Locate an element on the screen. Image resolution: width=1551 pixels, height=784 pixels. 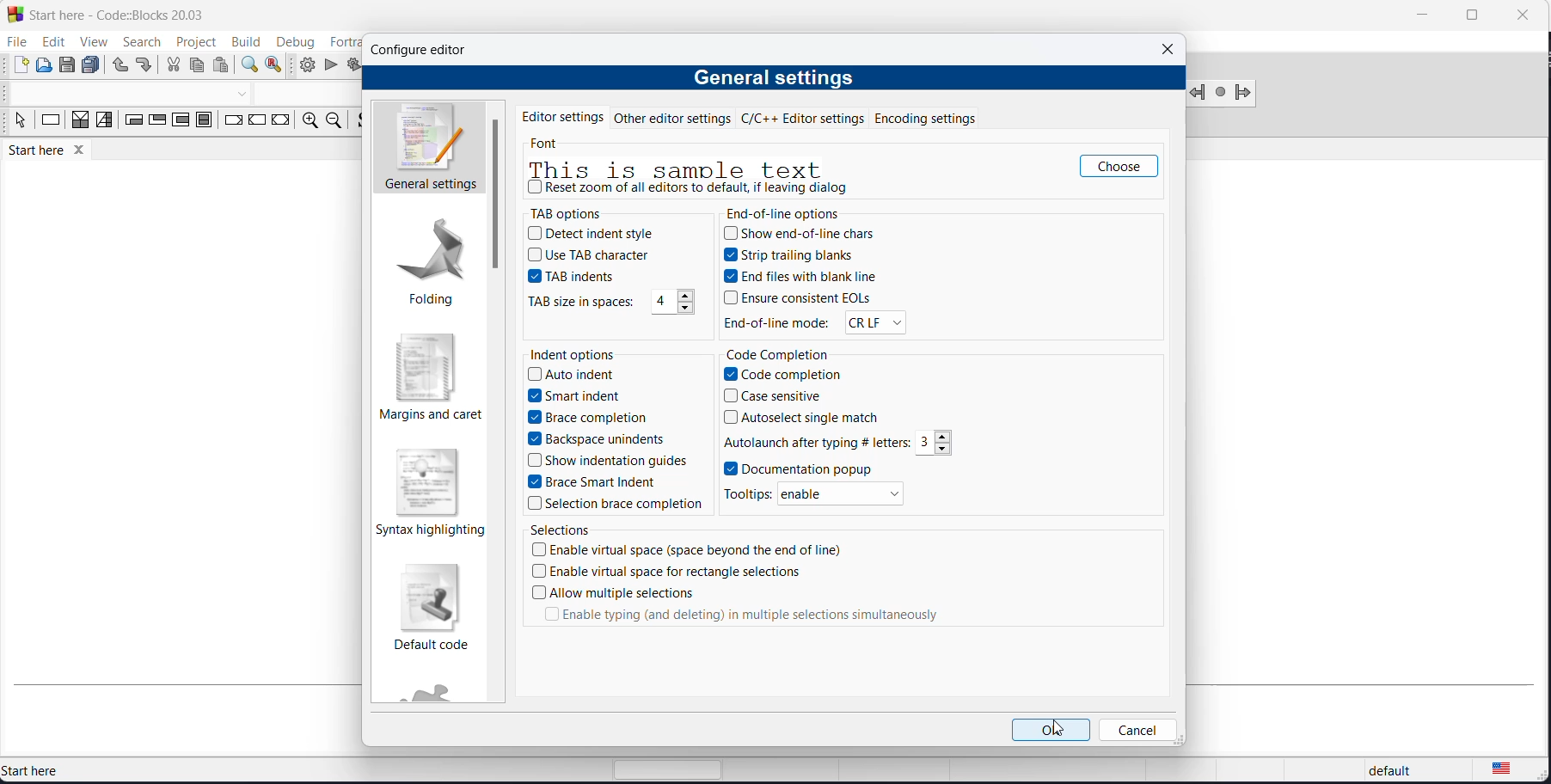
EOL modes options is located at coordinates (873, 322).